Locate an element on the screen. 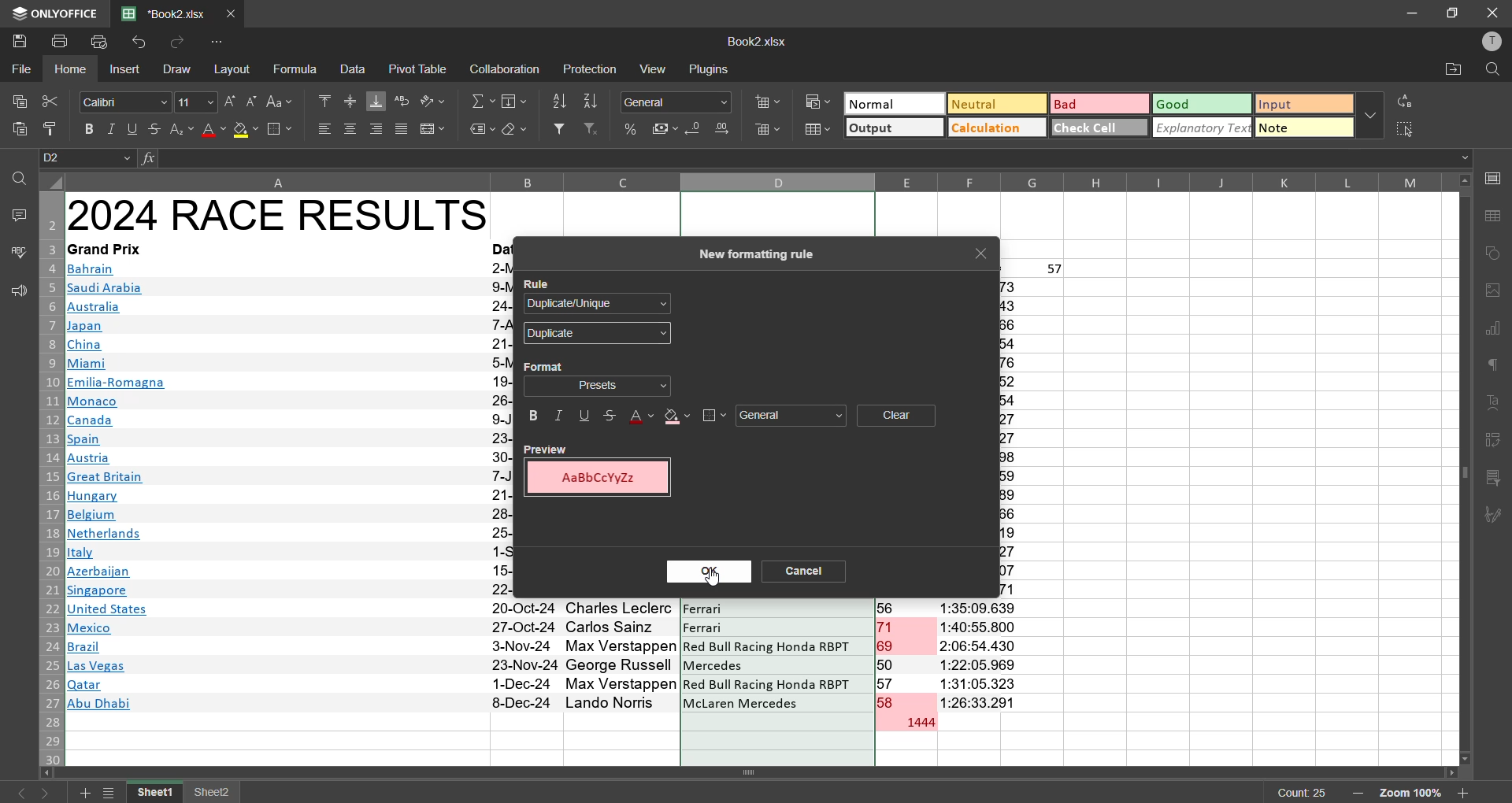 The image size is (1512, 803). format is located at coordinates (598, 385).